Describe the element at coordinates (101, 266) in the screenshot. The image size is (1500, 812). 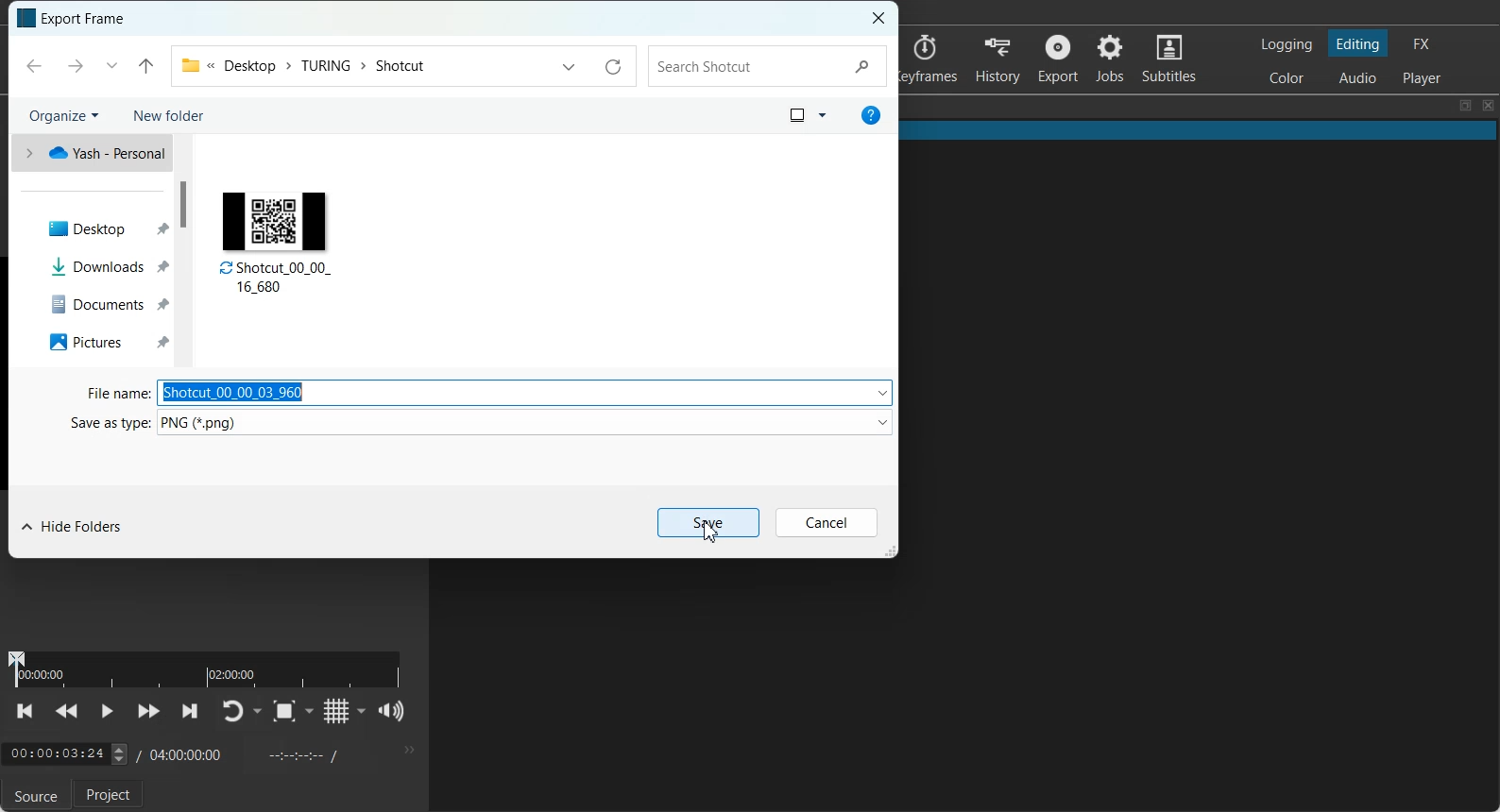
I see `Downloads` at that location.